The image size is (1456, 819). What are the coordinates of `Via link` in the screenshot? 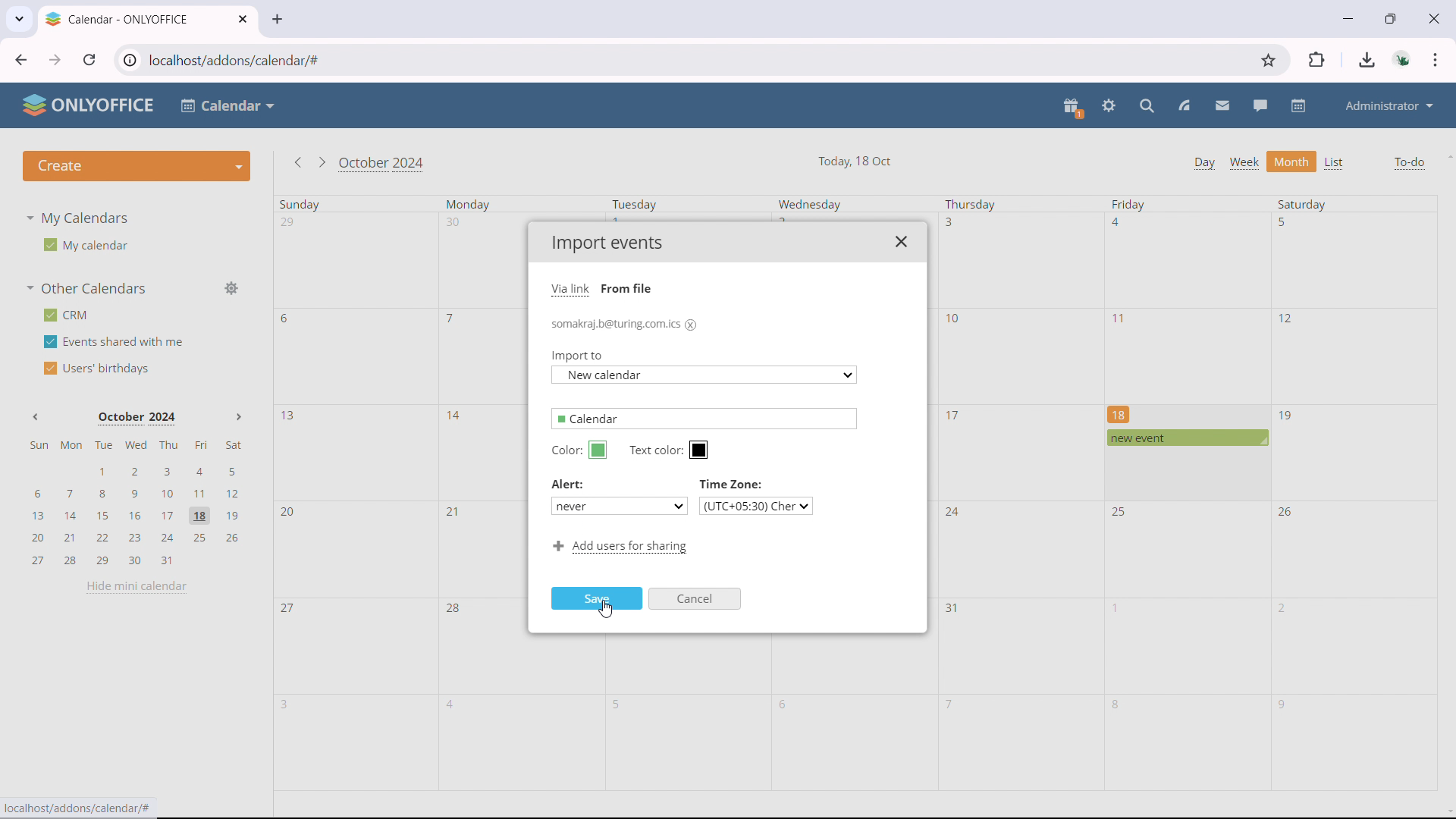 It's located at (572, 289).